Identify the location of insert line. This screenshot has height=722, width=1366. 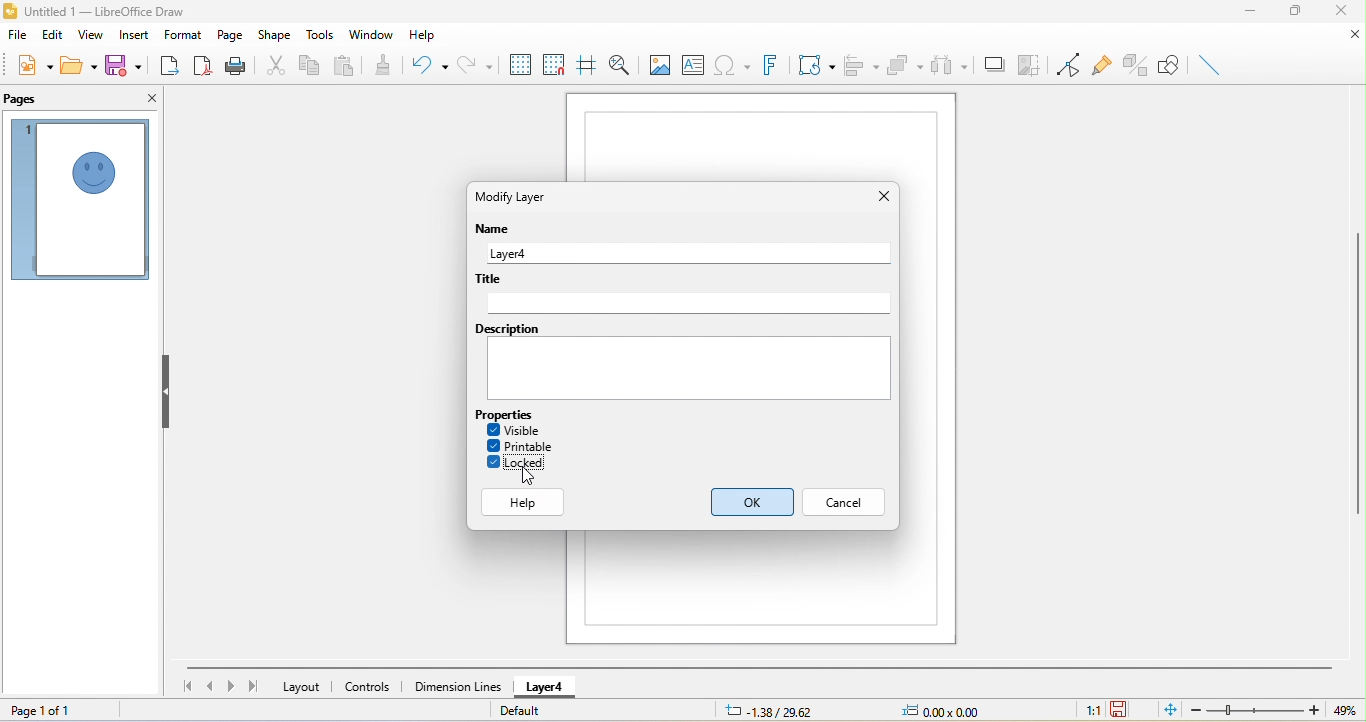
(1213, 63).